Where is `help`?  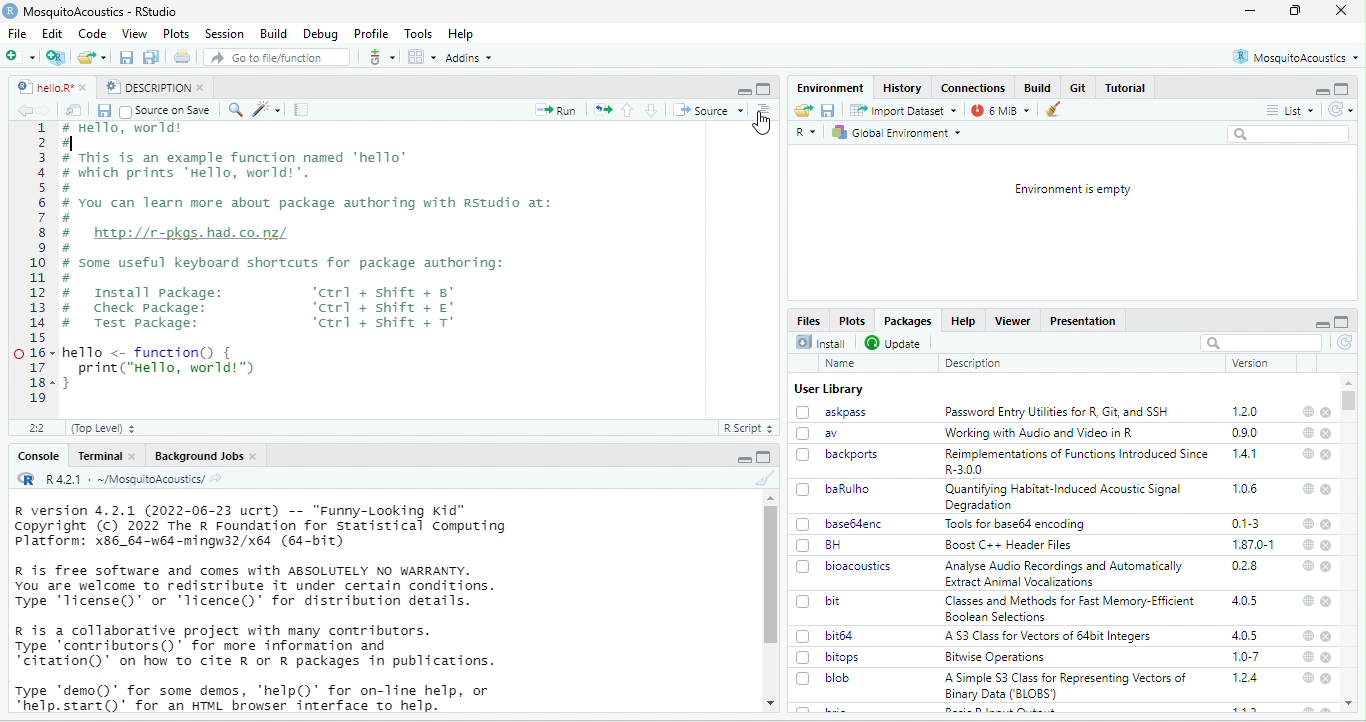
help is located at coordinates (1307, 657).